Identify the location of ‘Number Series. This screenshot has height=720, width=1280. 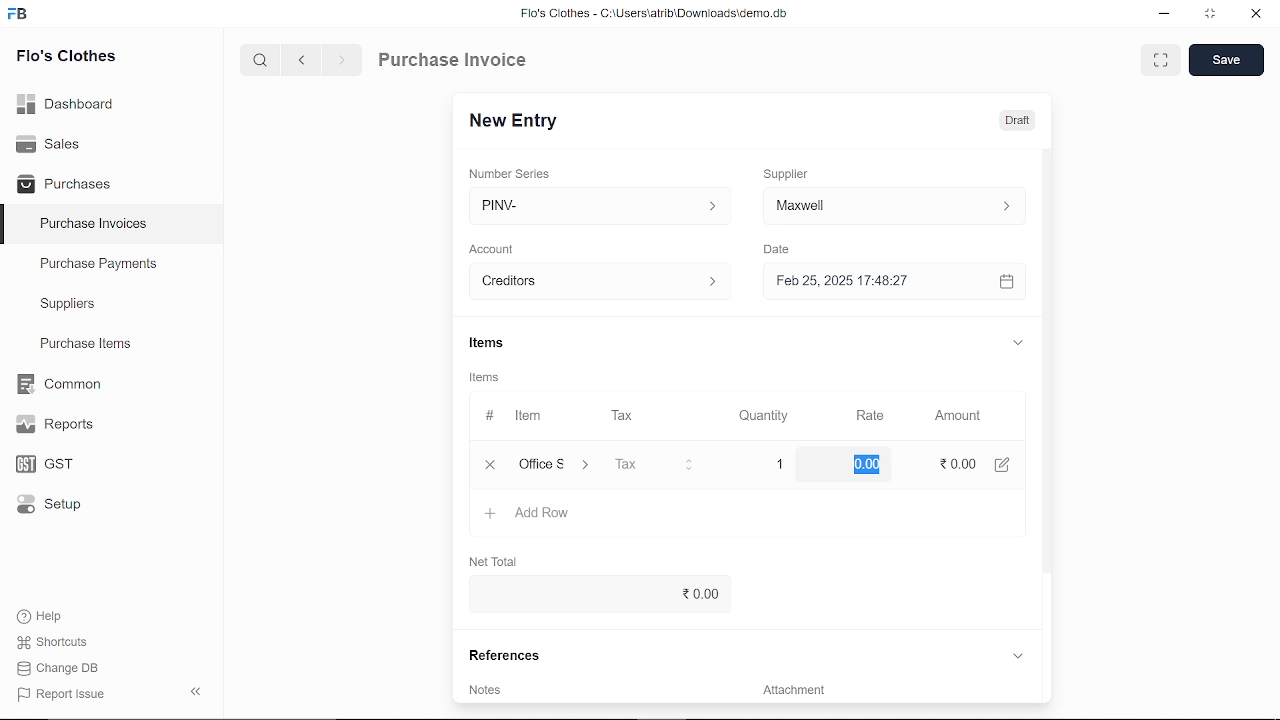
(516, 173).